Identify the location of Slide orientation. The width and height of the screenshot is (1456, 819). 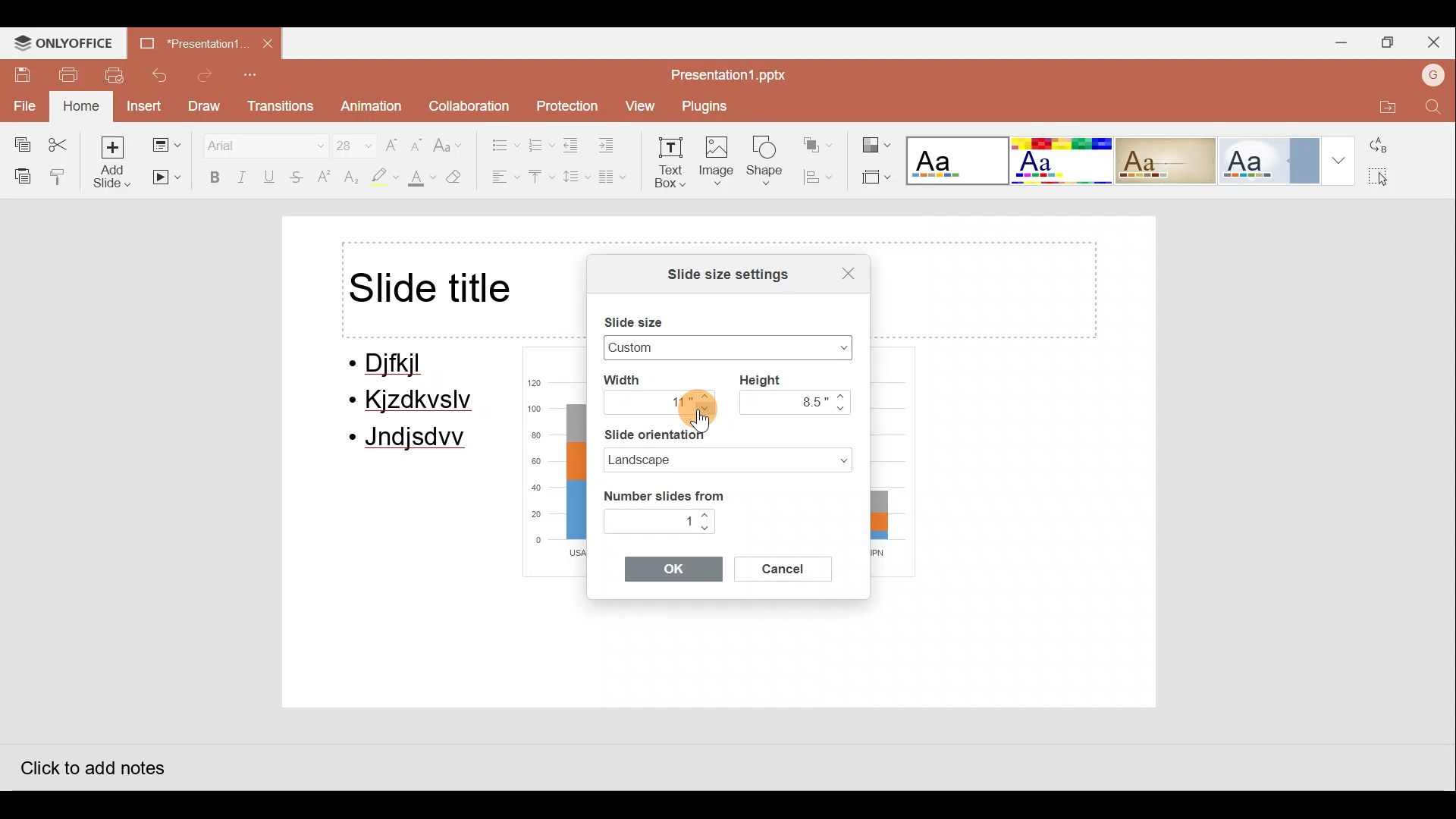
(698, 435).